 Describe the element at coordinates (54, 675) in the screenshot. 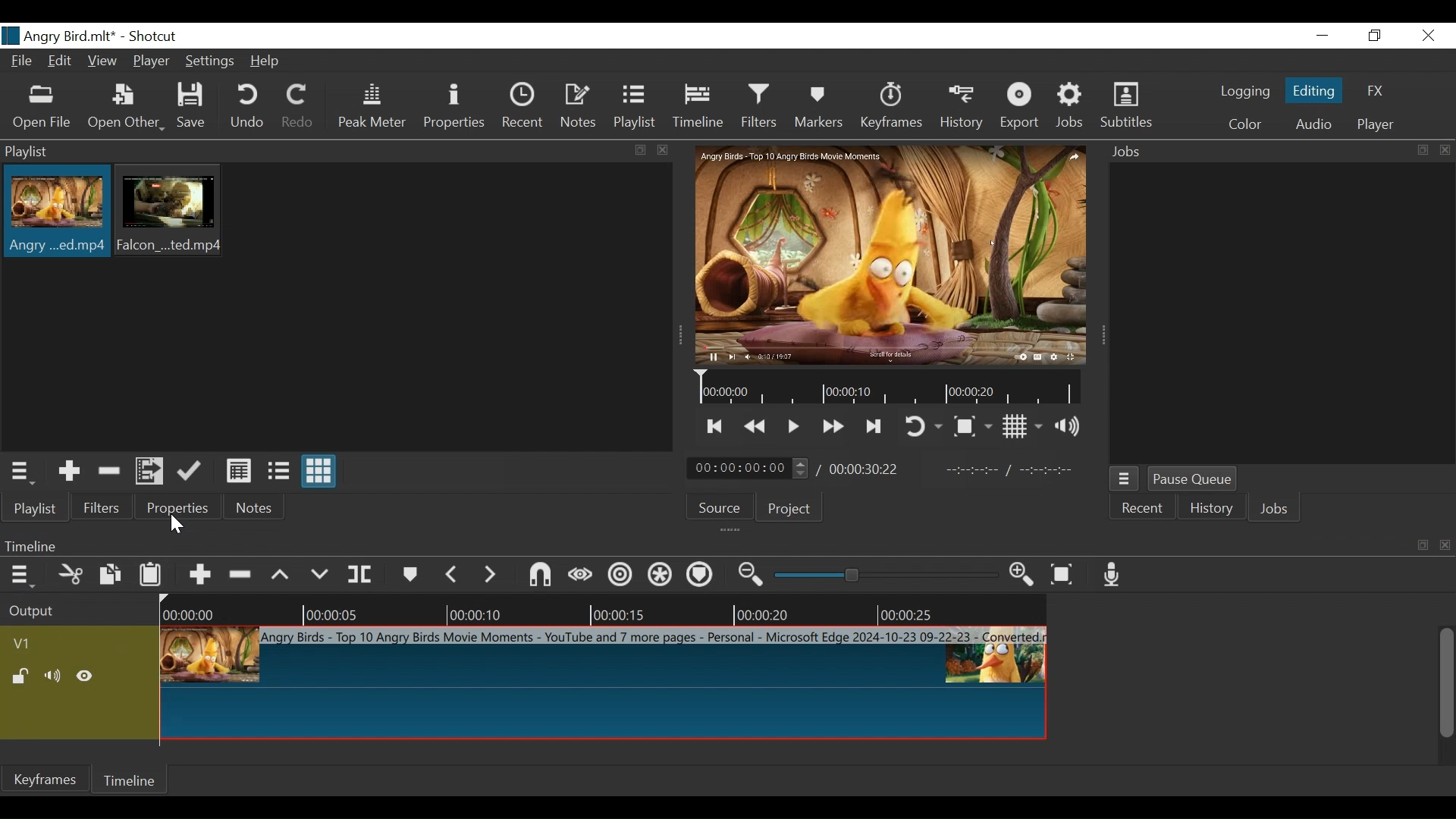

I see `Mute` at that location.